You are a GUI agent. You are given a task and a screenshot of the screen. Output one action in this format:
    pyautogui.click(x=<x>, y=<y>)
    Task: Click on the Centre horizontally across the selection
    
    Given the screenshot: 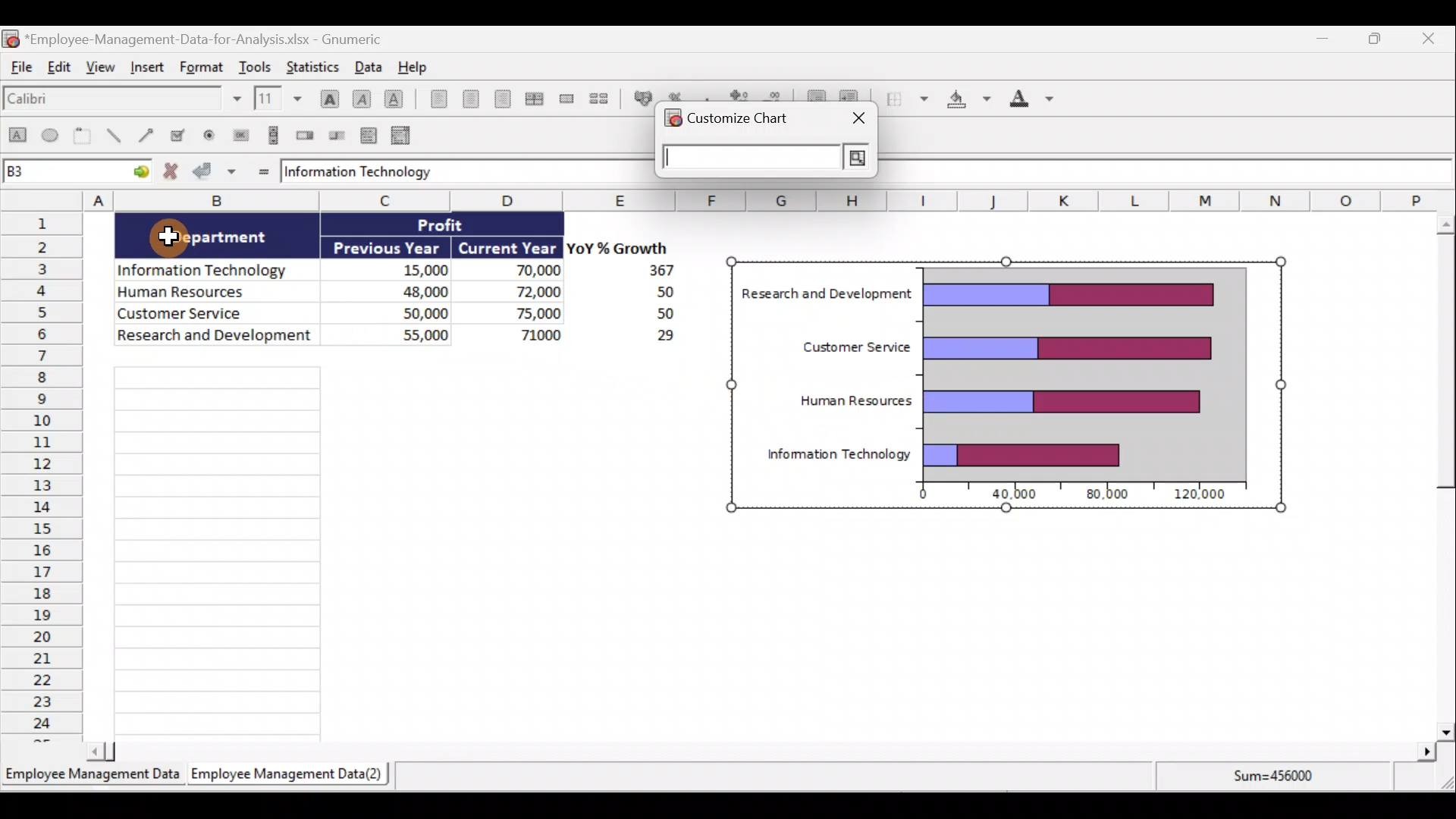 What is the action you would take?
    pyautogui.click(x=537, y=99)
    